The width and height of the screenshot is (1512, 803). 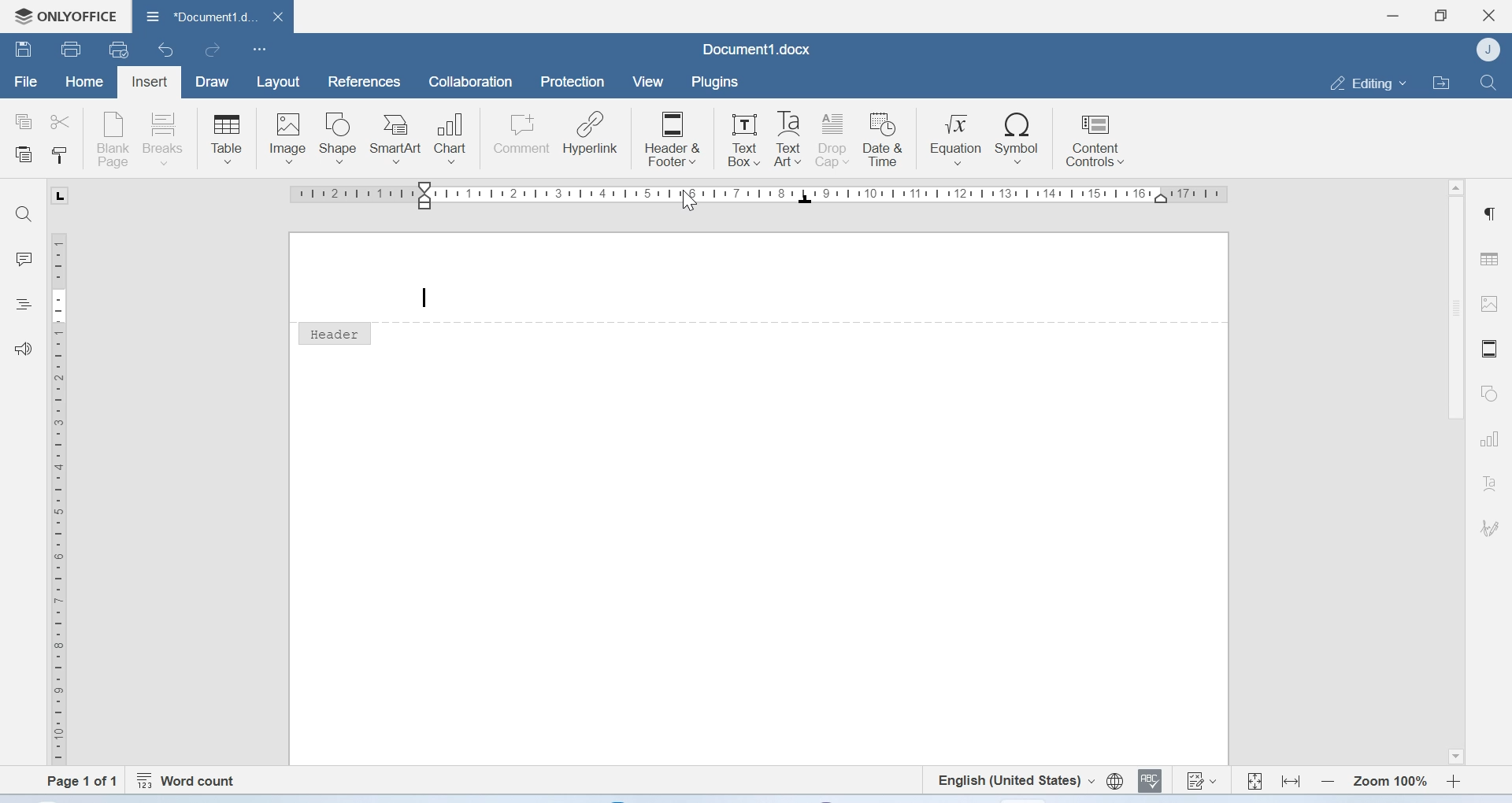 What do you see at coordinates (168, 51) in the screenshot?
I see `Undo` at bounding box center [168, 51].